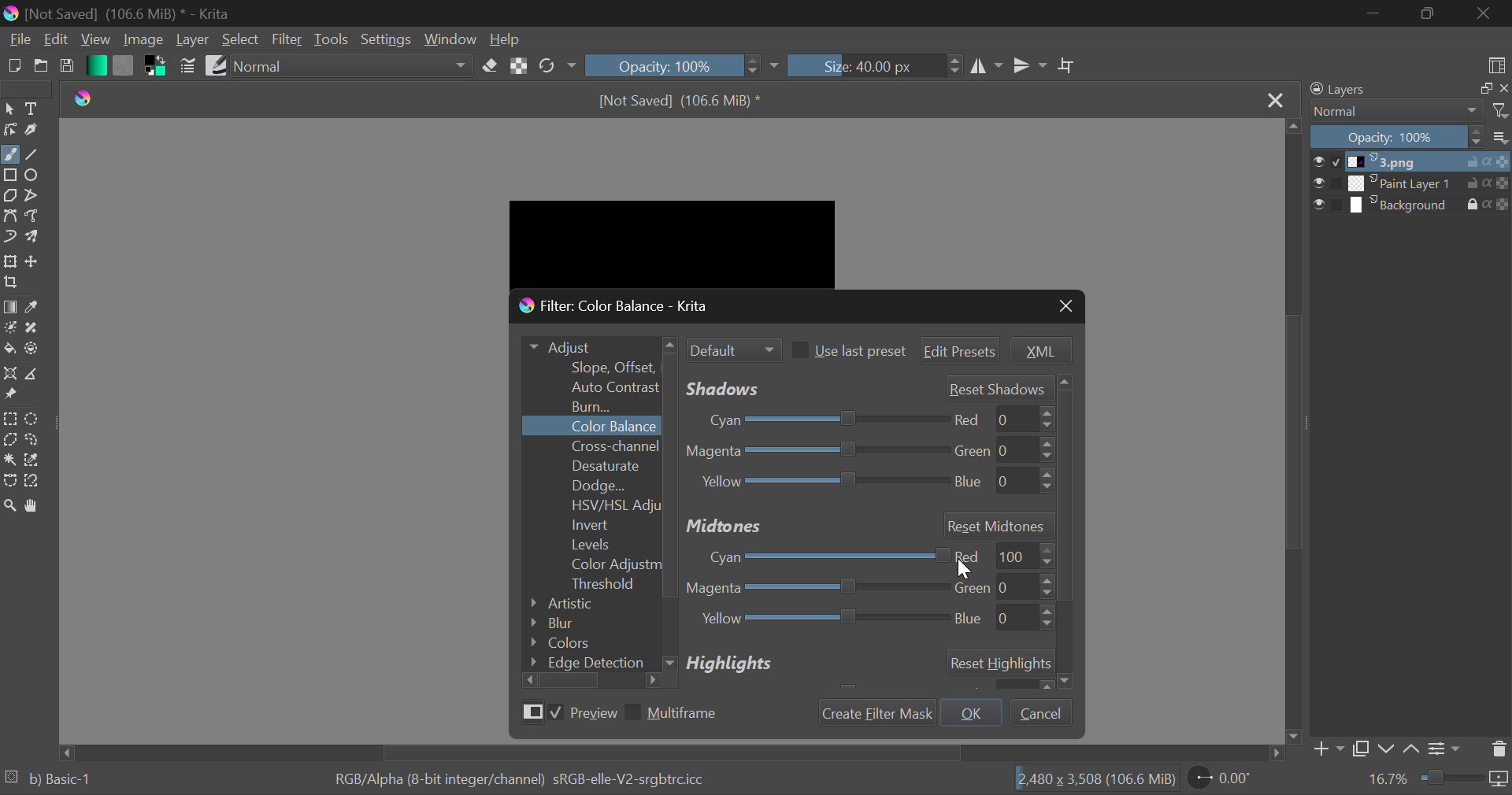 This screenshot has width=1512, height=795. Describe the element at coordinates (591, 485) in the screenshot. I see `Dodge` at that location.